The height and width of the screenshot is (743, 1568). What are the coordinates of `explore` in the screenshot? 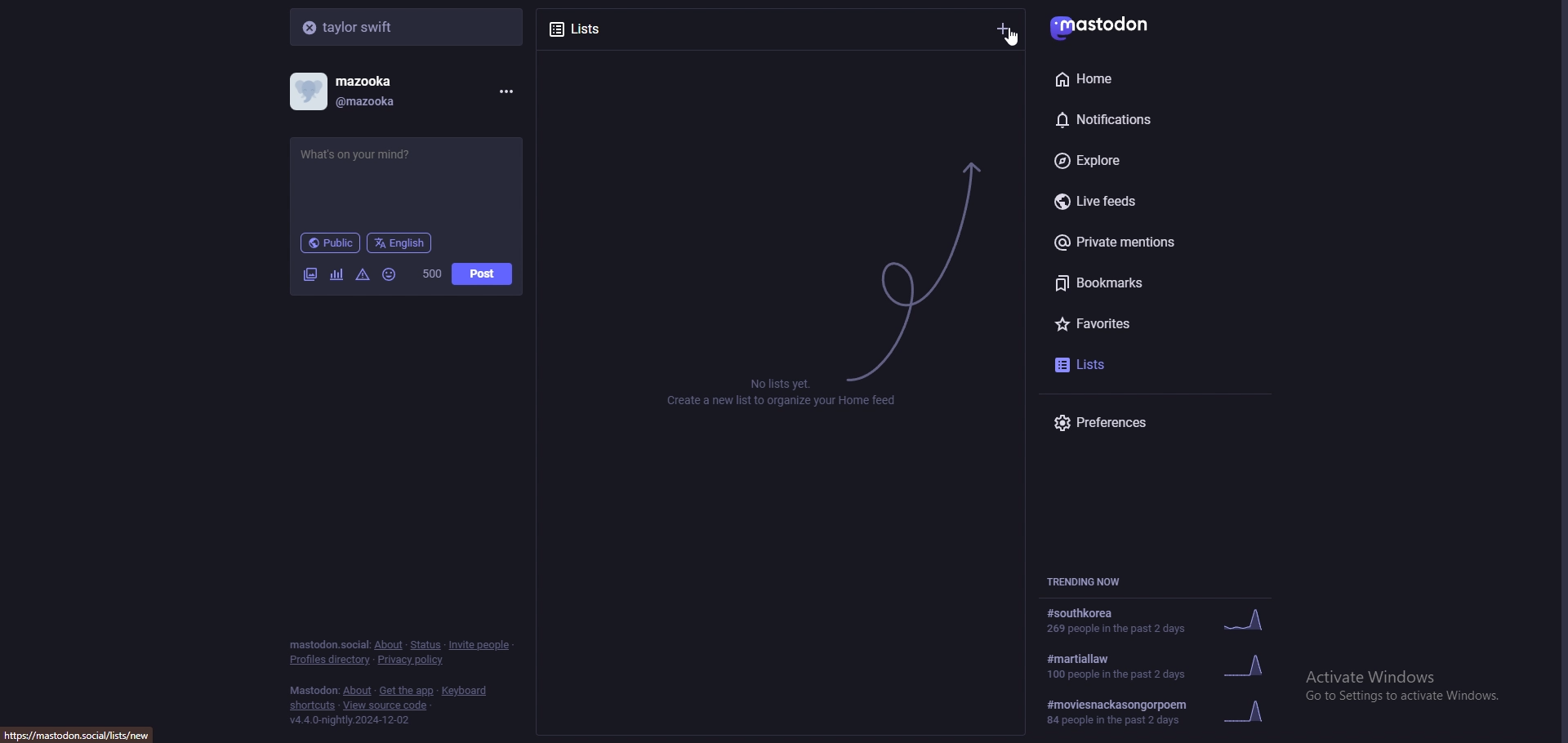 It's located at (1150, 162).